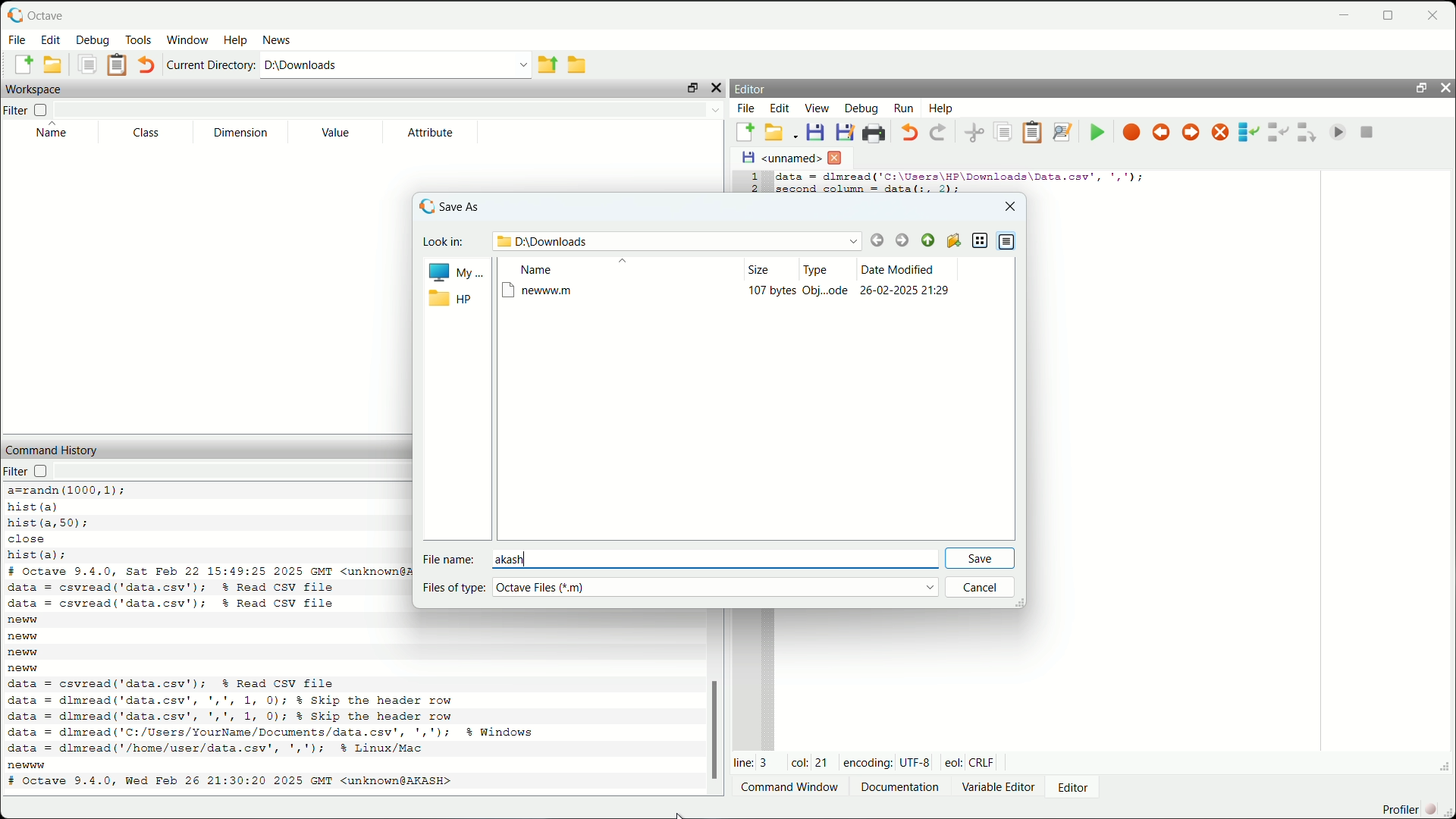  What do you see at coordinates (858, 108) in the screenshot?
I see `debug` at bounding box center [858, 108].